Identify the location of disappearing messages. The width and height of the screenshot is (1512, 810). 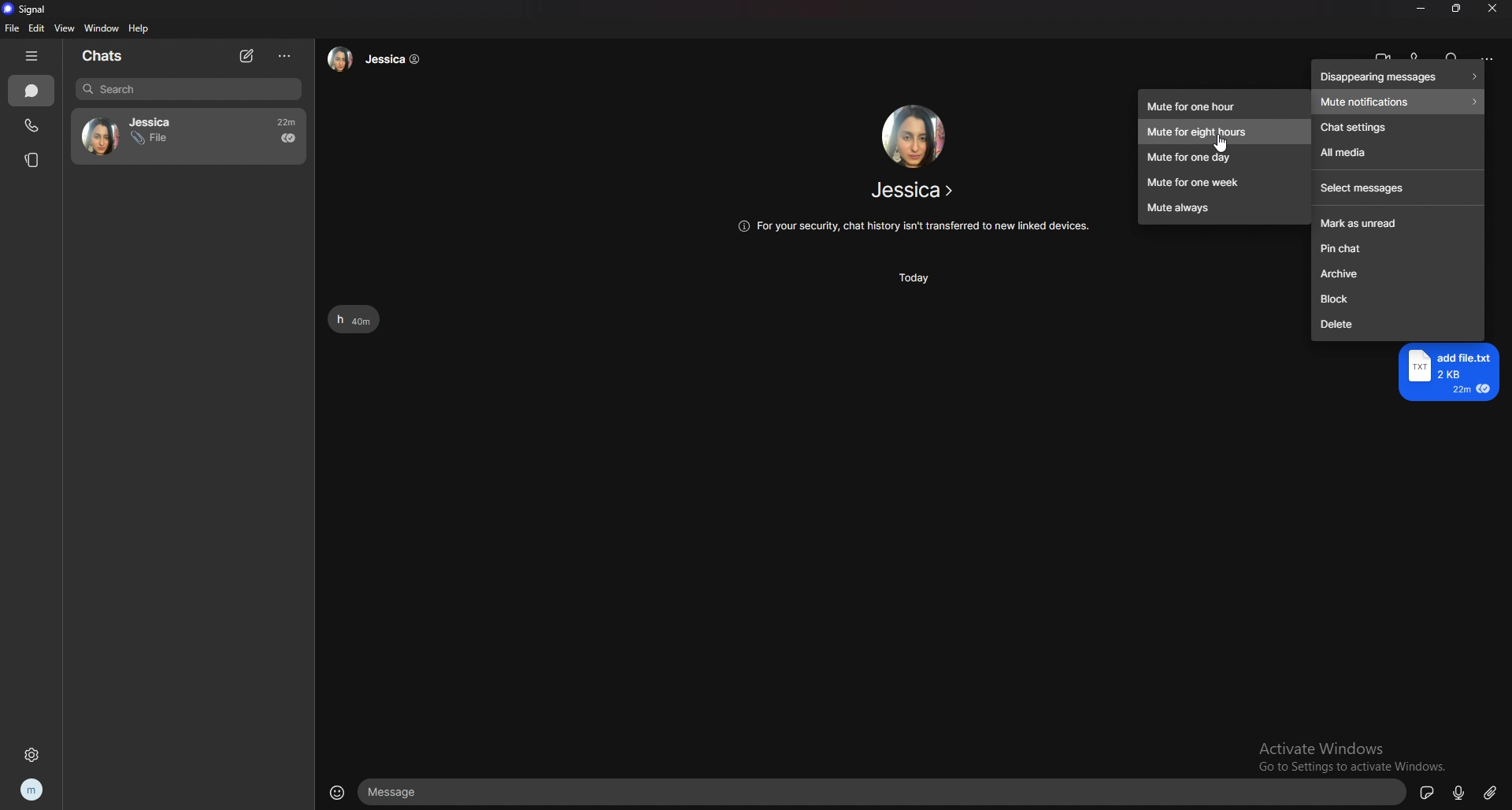
(1399, 76).